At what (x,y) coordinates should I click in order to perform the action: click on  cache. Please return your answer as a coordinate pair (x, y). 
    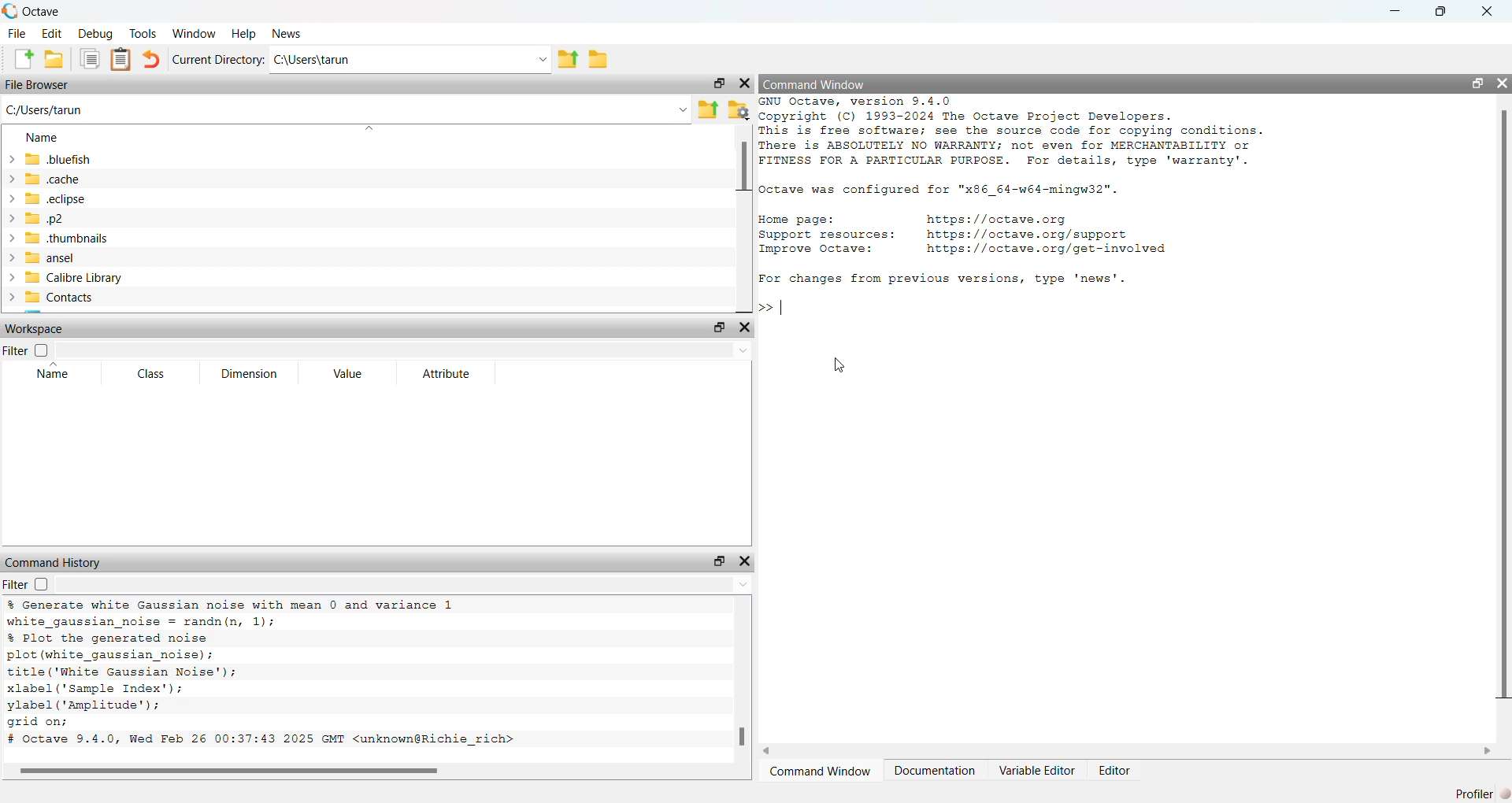
    Looking at the image, I should click on (54, 178).